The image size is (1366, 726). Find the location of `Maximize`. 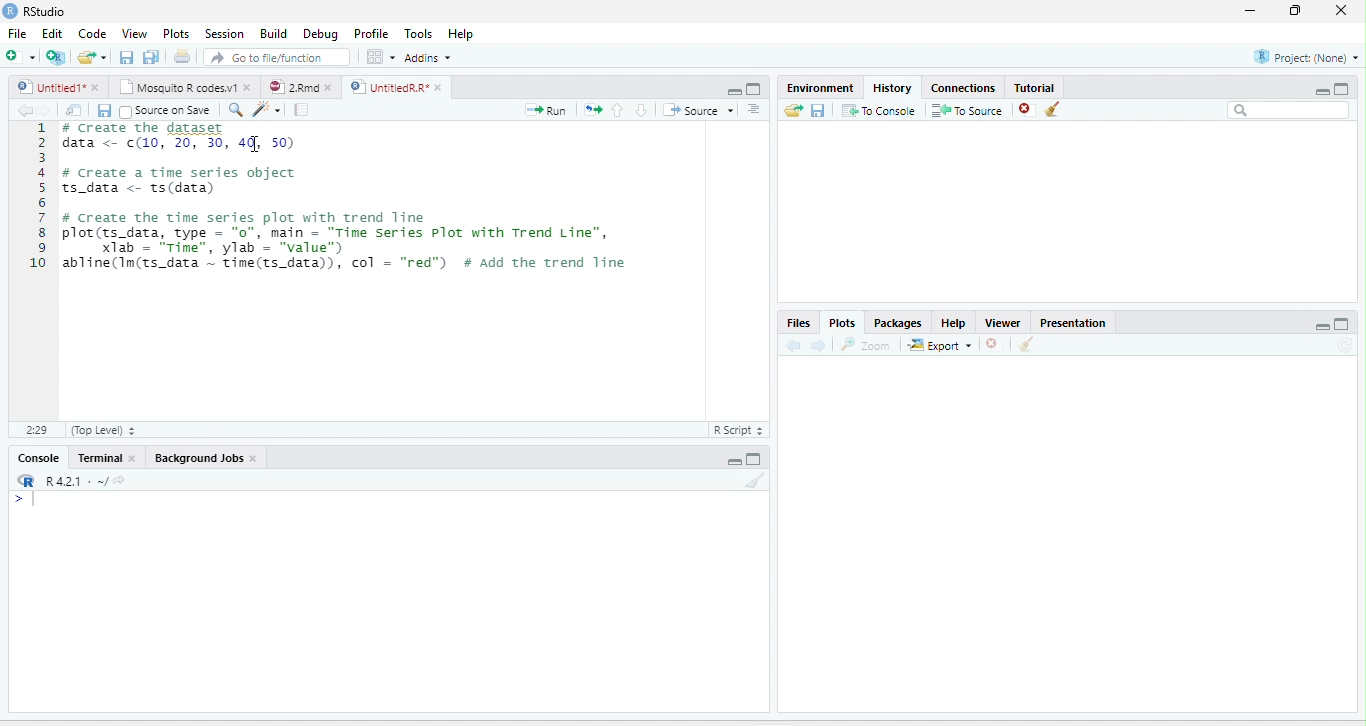

Maximize is located at coordinates (755, 459).